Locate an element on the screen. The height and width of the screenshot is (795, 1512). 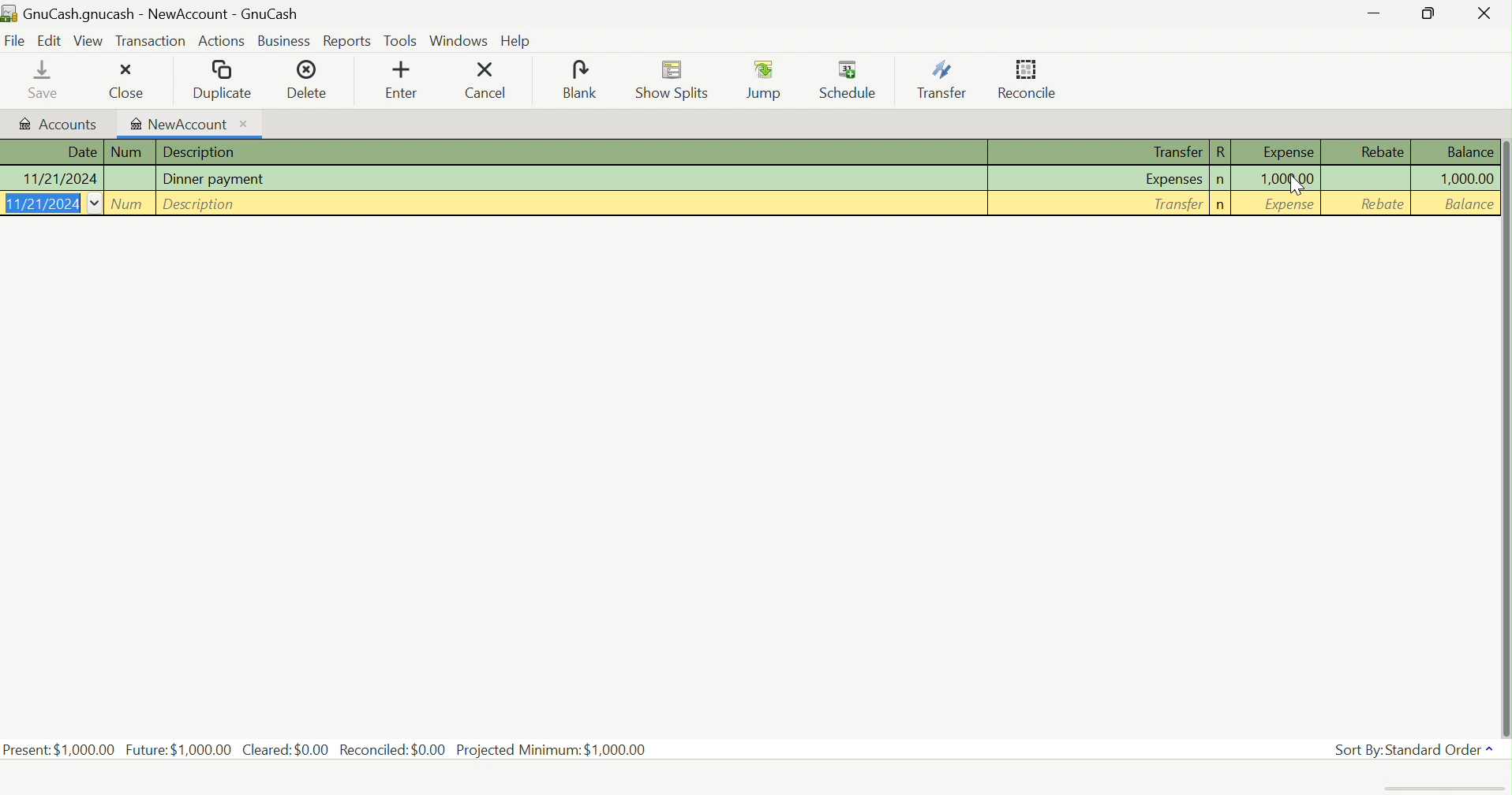
Help is located at coordinates (518, 43).